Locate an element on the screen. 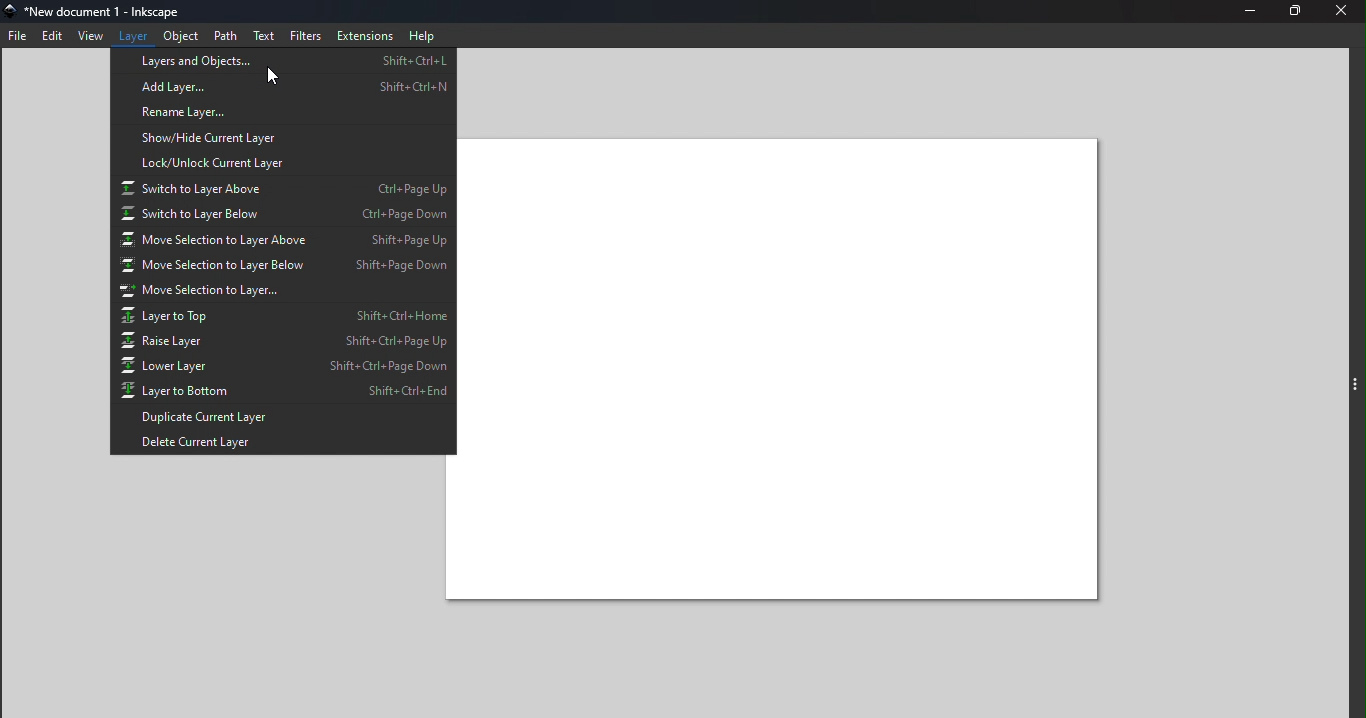 This screenshot has height=718, width=1366. Lock/unlock current layer is located at coordinates (281, 163).